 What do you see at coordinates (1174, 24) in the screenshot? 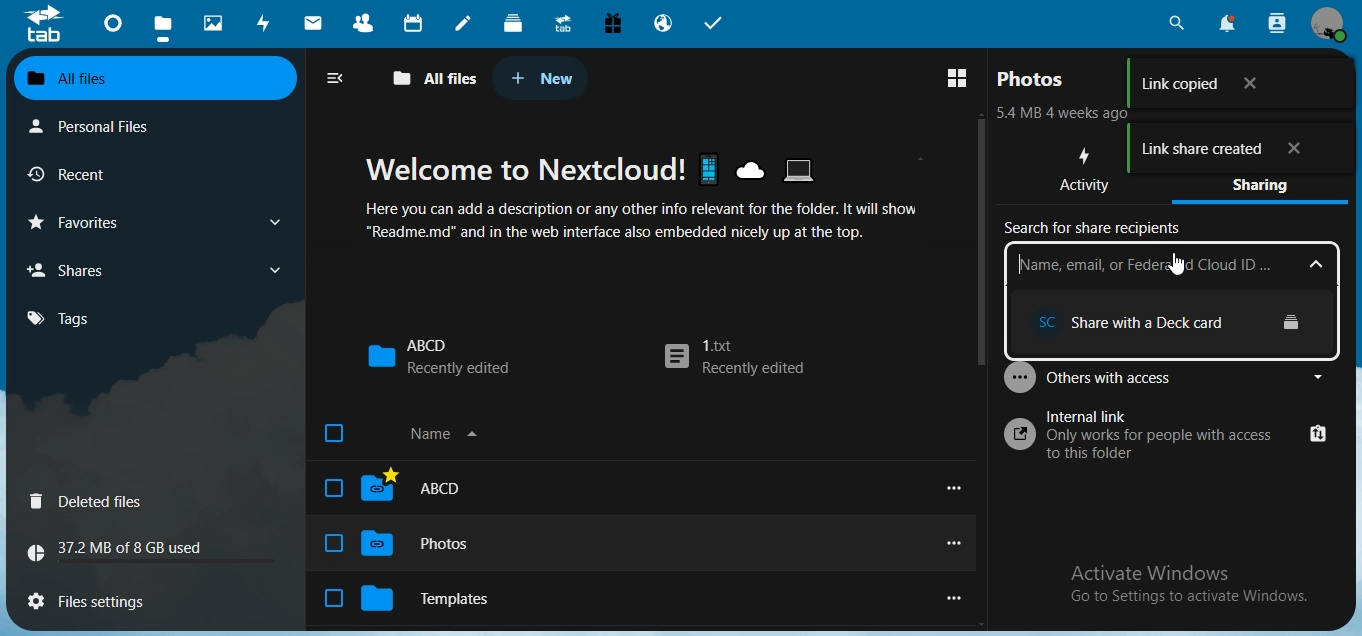
I see `search` at bounding box center [1174, 24].